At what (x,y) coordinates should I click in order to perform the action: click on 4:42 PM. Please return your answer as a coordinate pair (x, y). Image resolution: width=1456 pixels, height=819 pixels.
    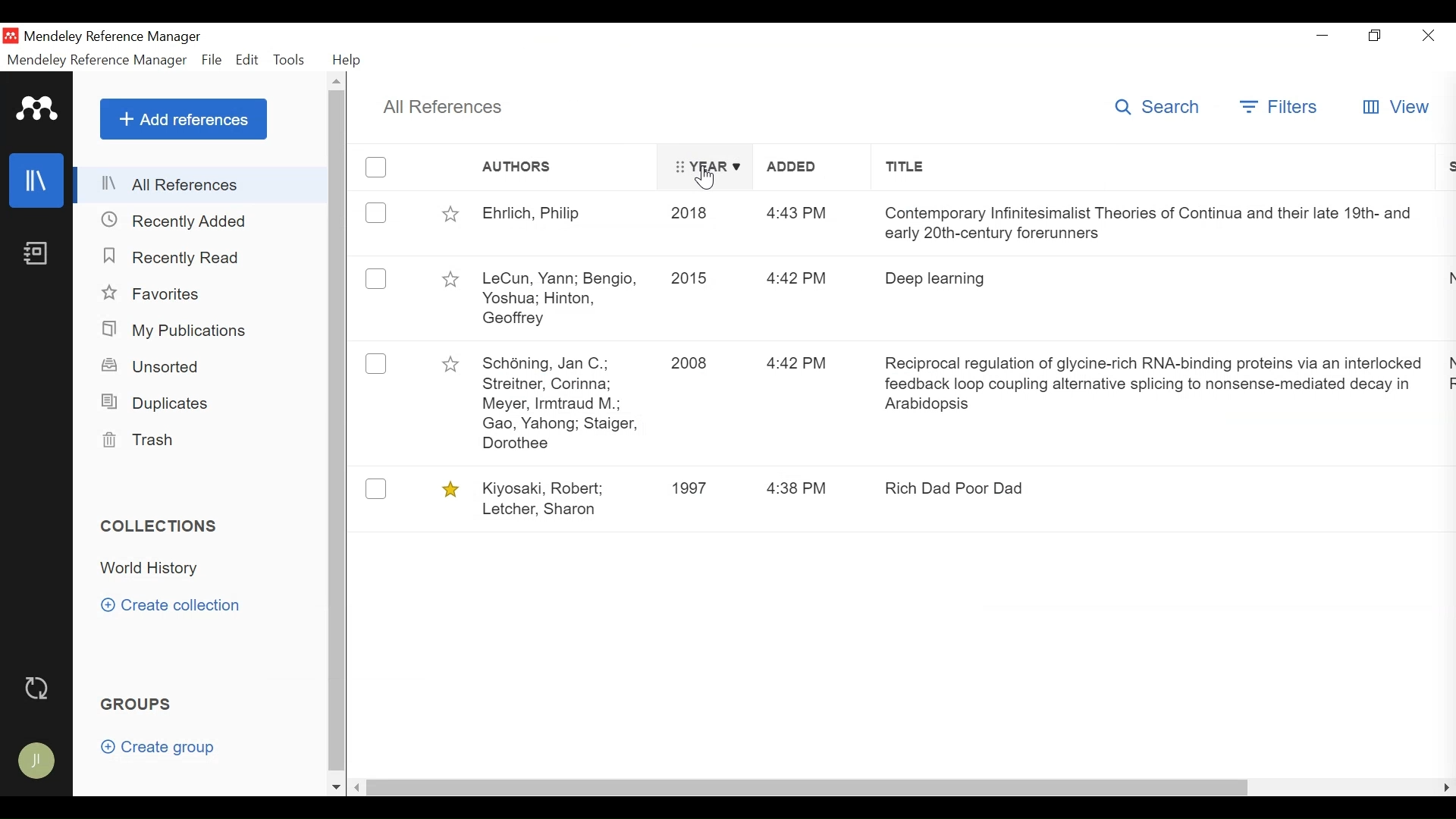
    Looking at the image, I should click on (799, 366).